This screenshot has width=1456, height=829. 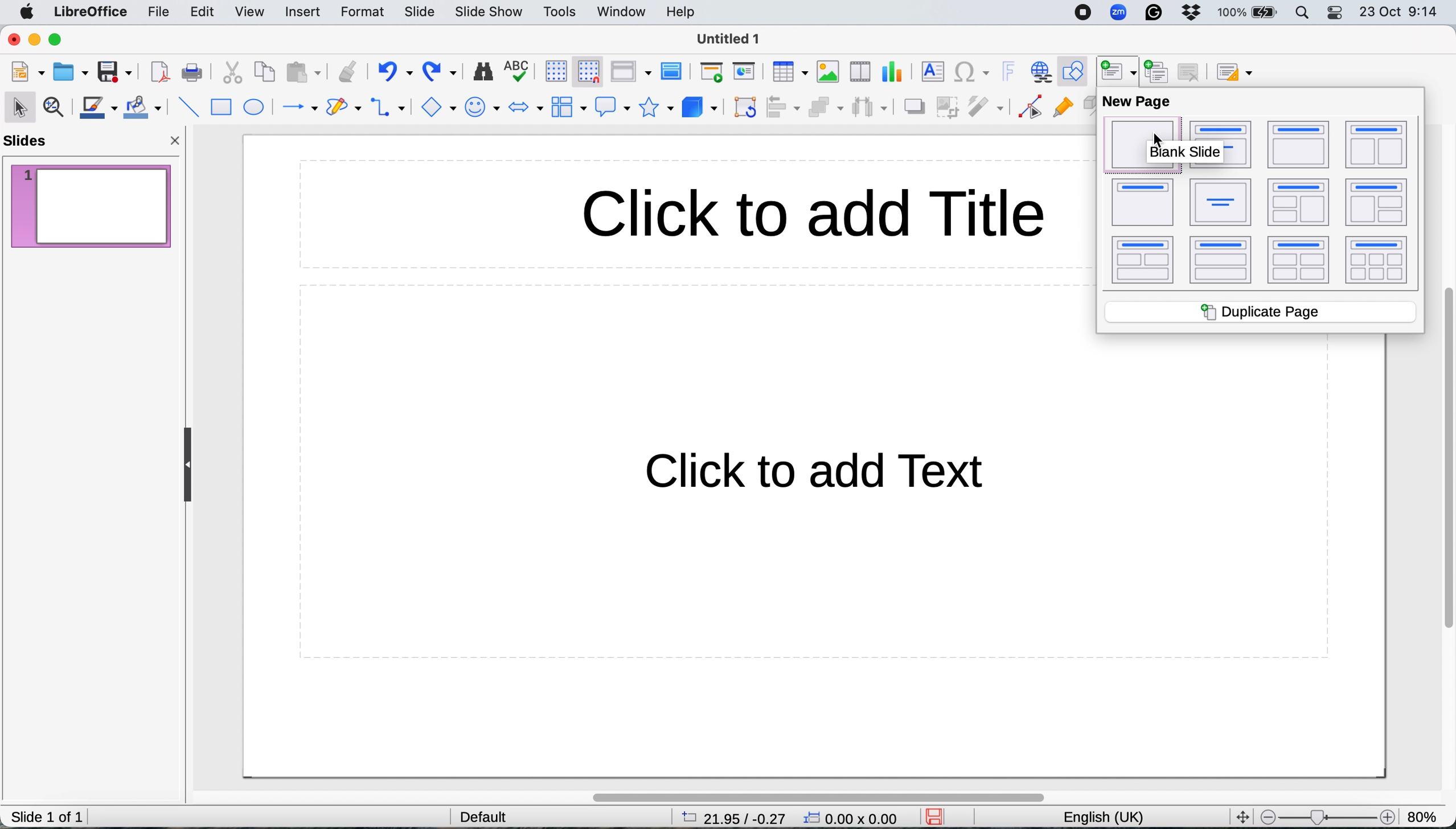 I want to click on zoom and pan, so click(x=55, y=109).